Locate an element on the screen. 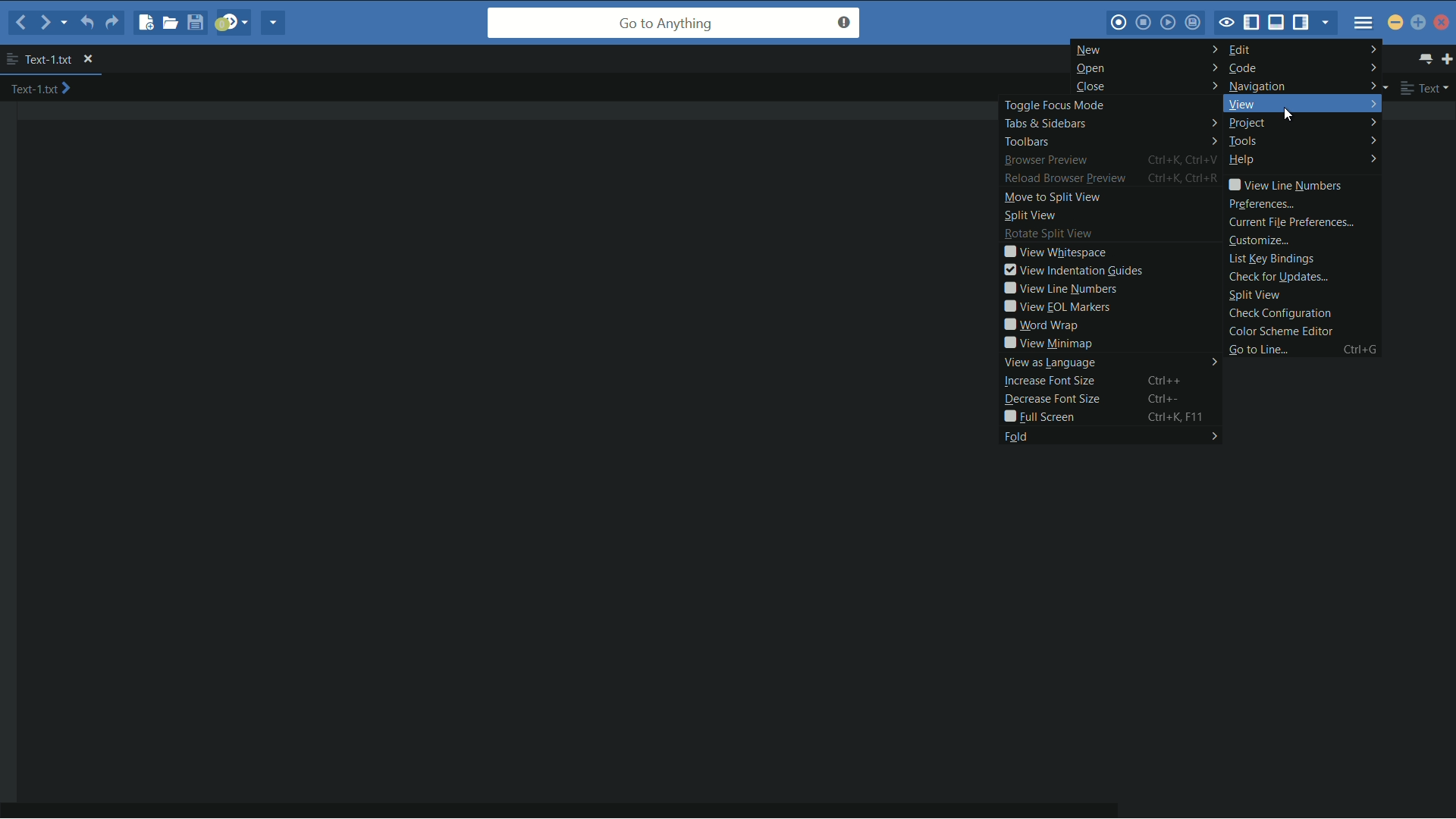 The image size is (1456, 819). maximize is located at coordinates (1419, 23).